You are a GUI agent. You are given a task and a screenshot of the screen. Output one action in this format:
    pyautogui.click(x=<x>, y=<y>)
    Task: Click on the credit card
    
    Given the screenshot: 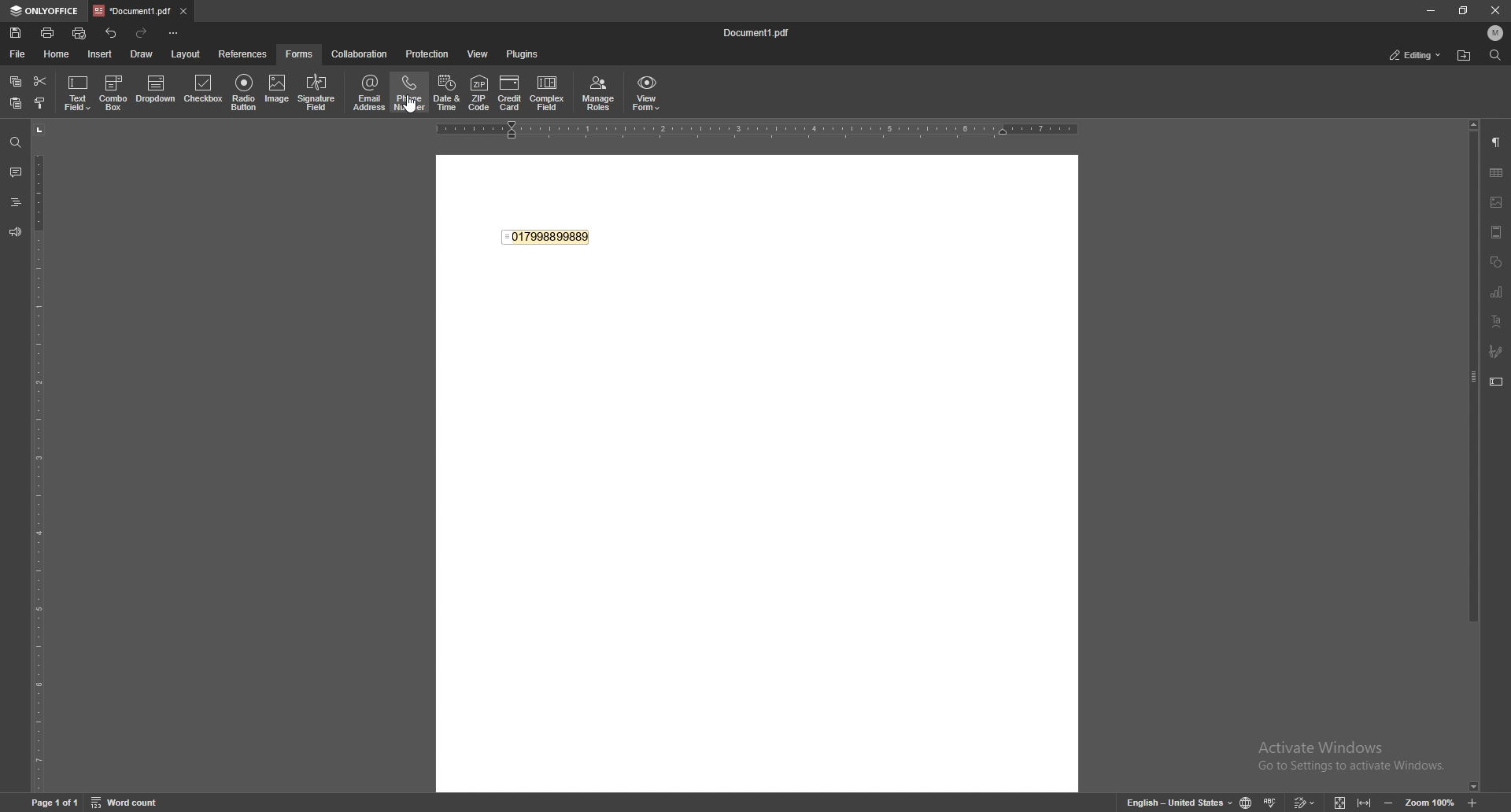 What is the action you would take?
    pyautogui.click(x=511, y=94)
    